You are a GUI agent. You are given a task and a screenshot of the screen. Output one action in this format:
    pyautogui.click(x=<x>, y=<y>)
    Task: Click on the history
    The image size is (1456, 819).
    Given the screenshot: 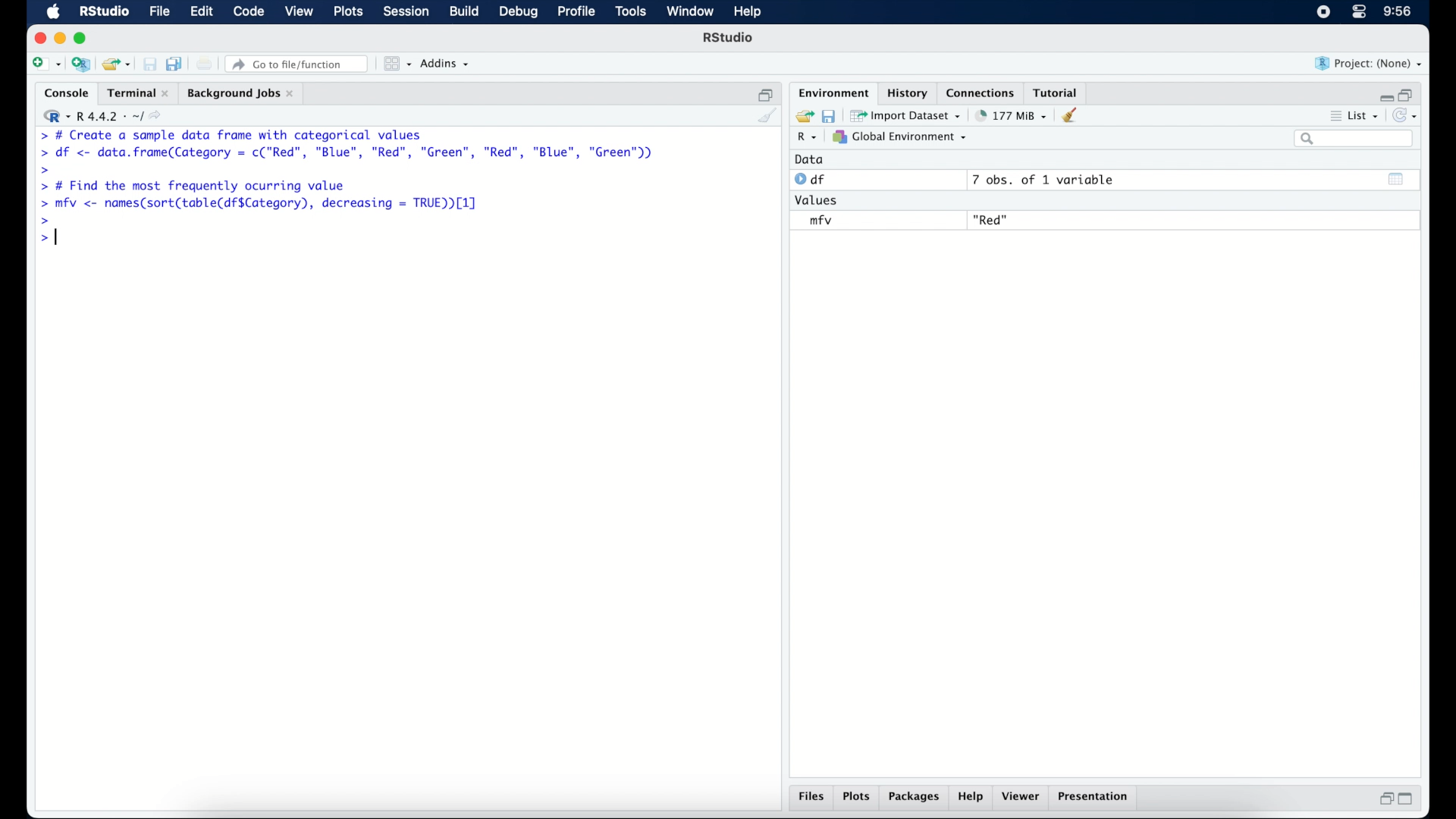 What is the action you would take?
    pyautogui.click(x=909, y=93)
    